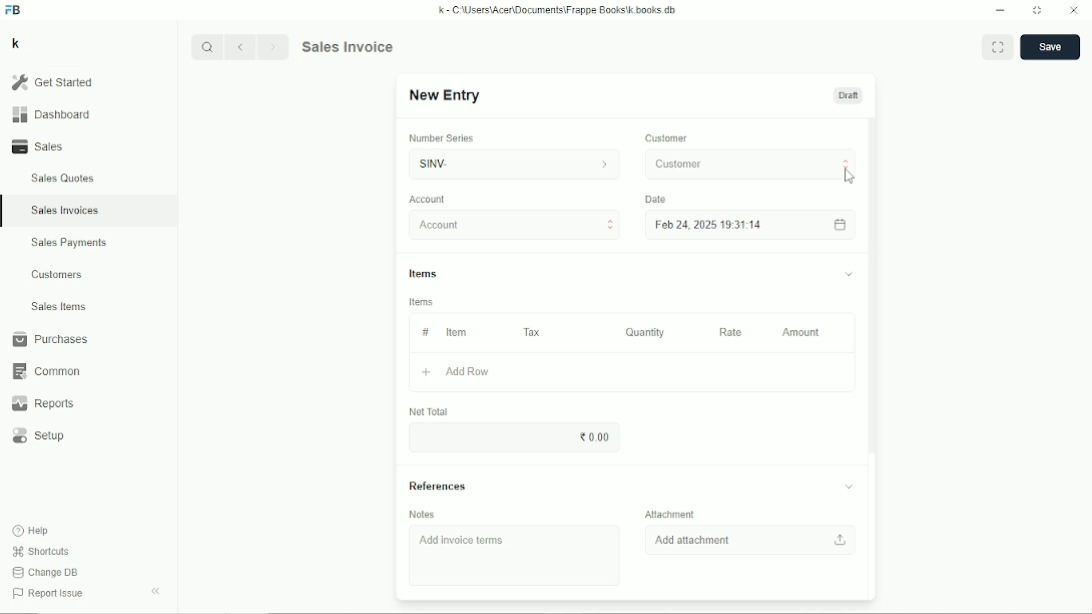 The width and height of the screenshot is (1092, 614). What do you see at coordinates (752, 164) in the screenshot?
I see `Customer` at bounding box center [752, 164].